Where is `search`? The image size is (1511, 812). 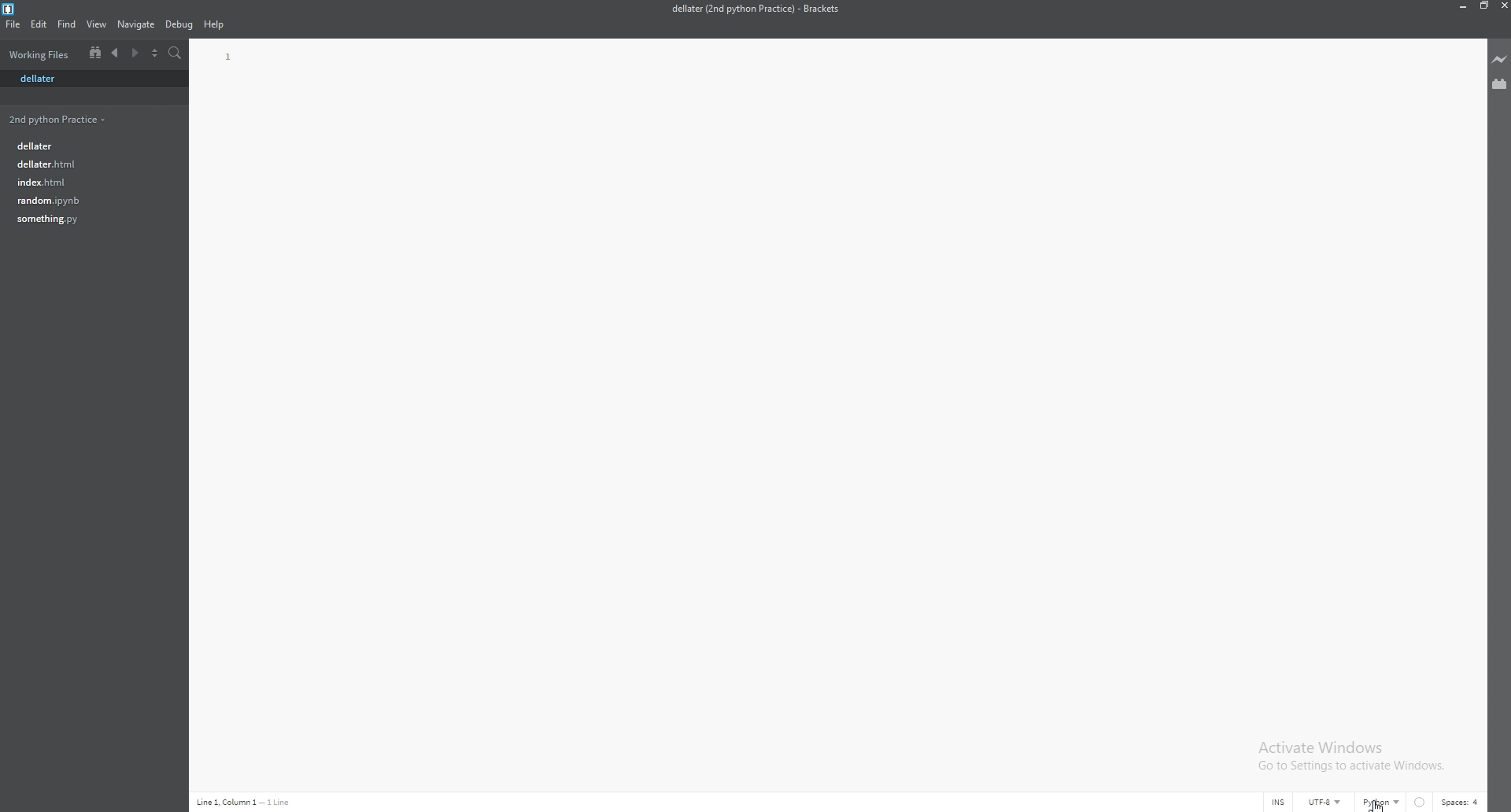 search is located at coordinates (176, 54).